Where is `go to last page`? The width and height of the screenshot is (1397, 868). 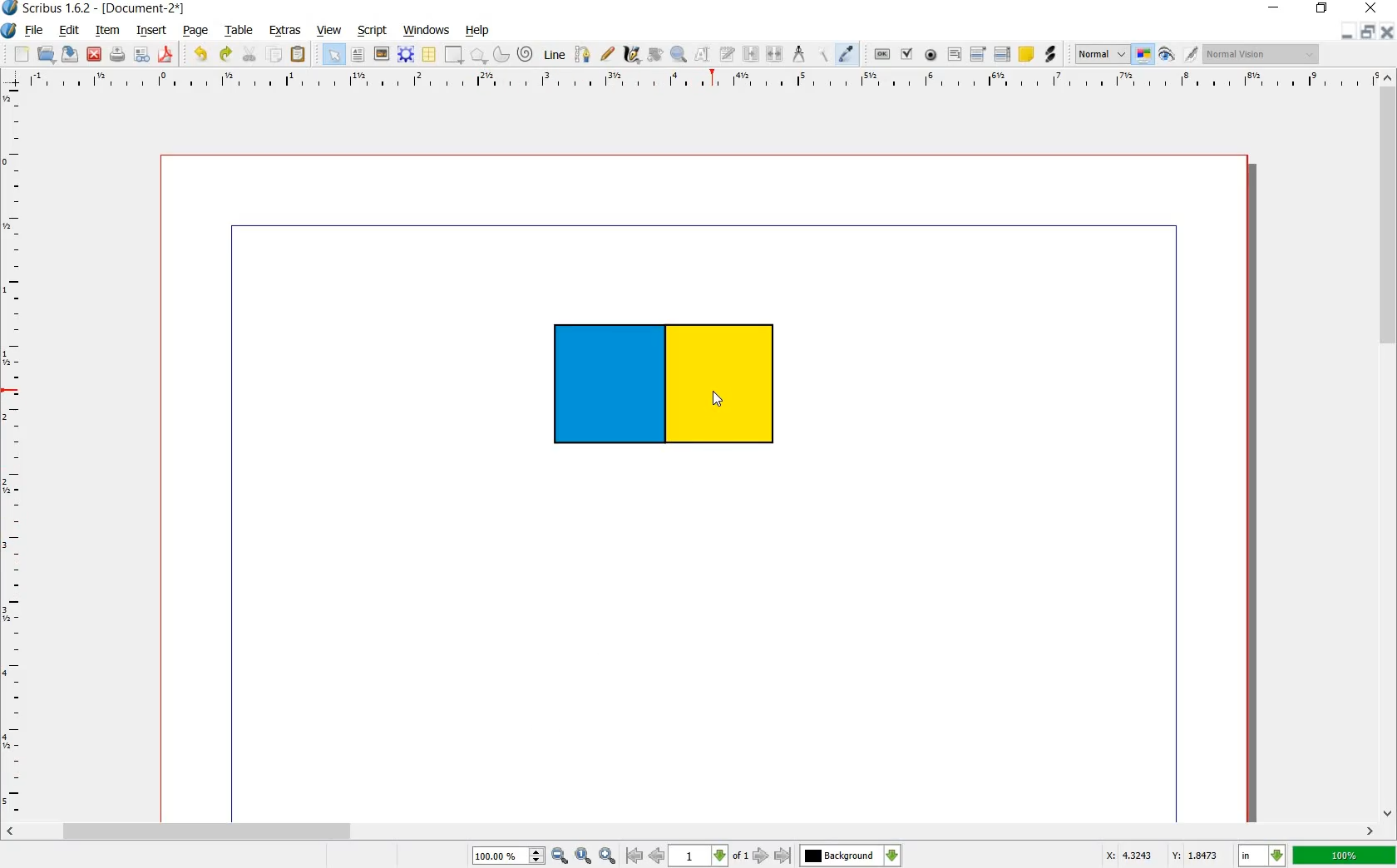 go to last page is located at coordinates (784, 856).